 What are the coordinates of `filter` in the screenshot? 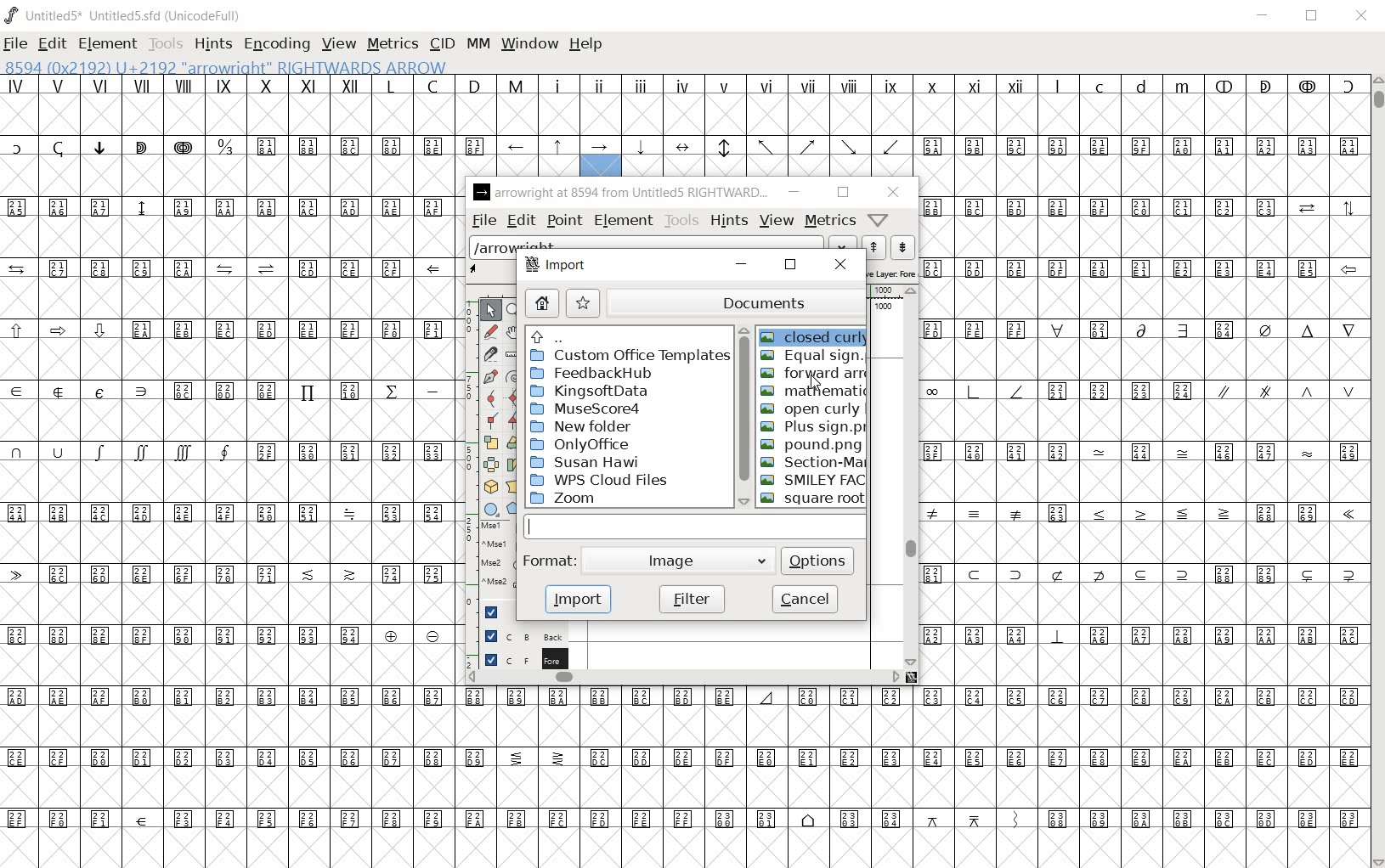 It's located at (690, 598).